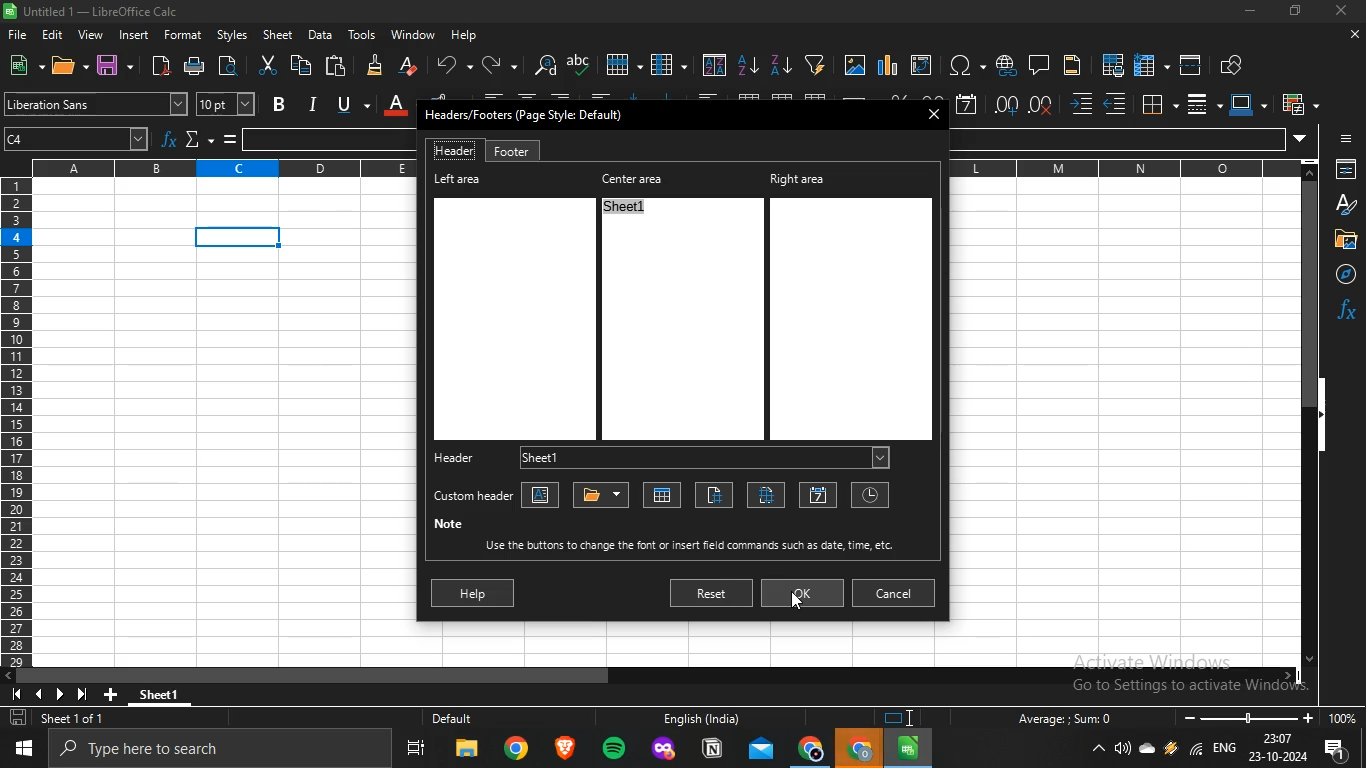 The height and width of the screenshot is (768, 1366). I want to click on window, so click(413, 34).